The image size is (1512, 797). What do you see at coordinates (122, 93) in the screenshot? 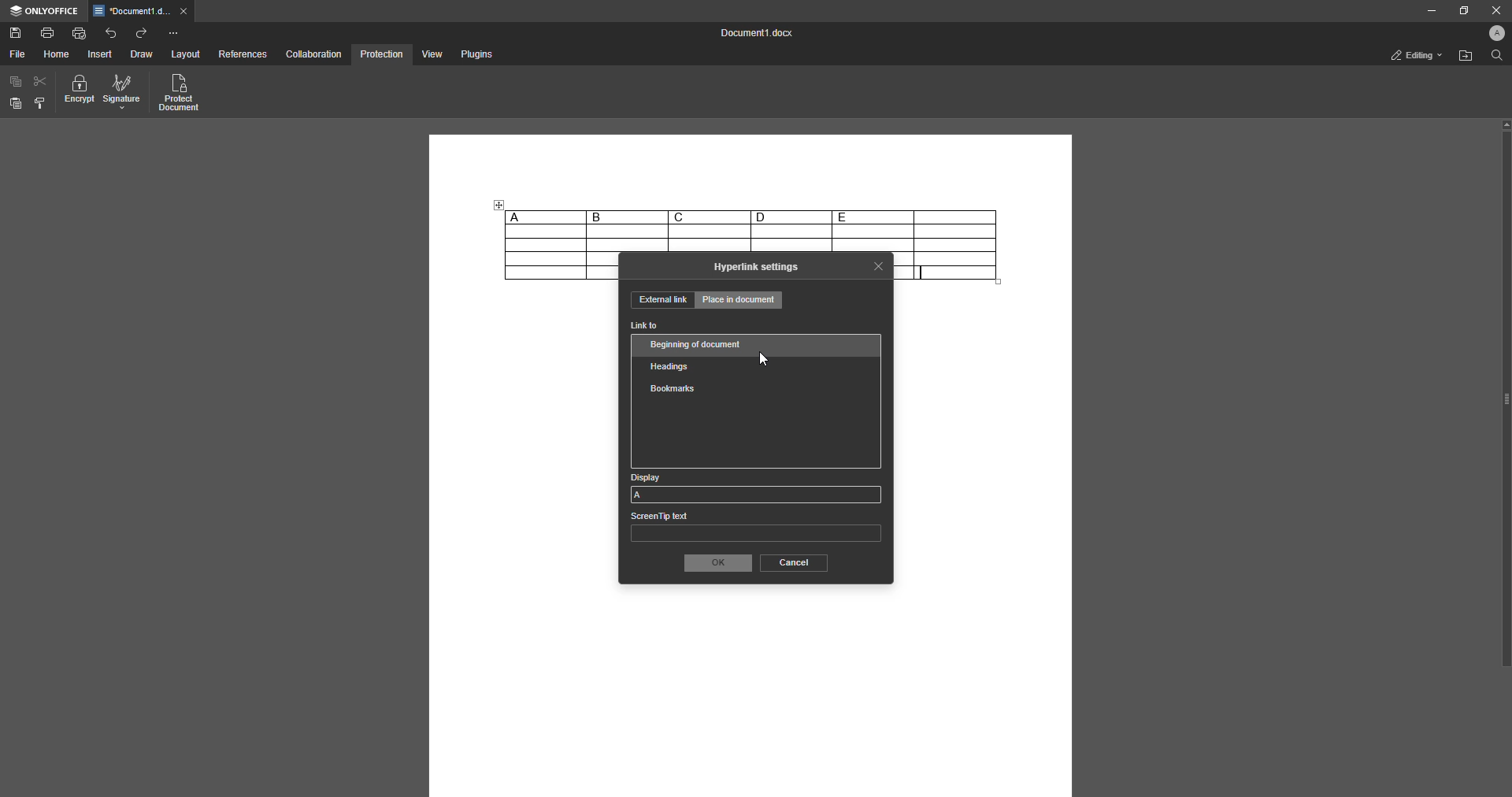
I see `Signature` at bounding box center [122, 93].